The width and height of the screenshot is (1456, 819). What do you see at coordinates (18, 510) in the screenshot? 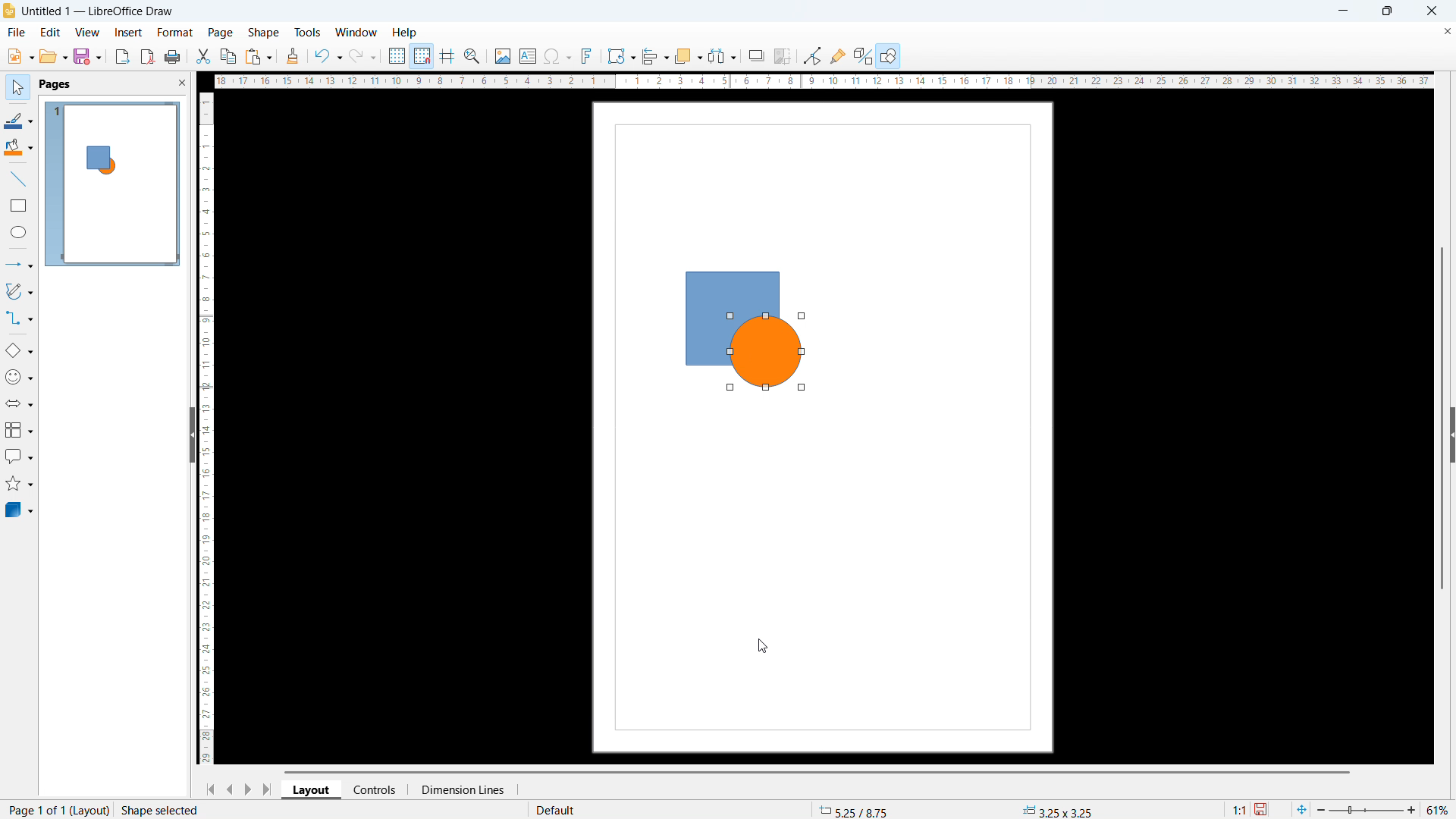
I see `3D objects ` at bounding box center [18, 510].